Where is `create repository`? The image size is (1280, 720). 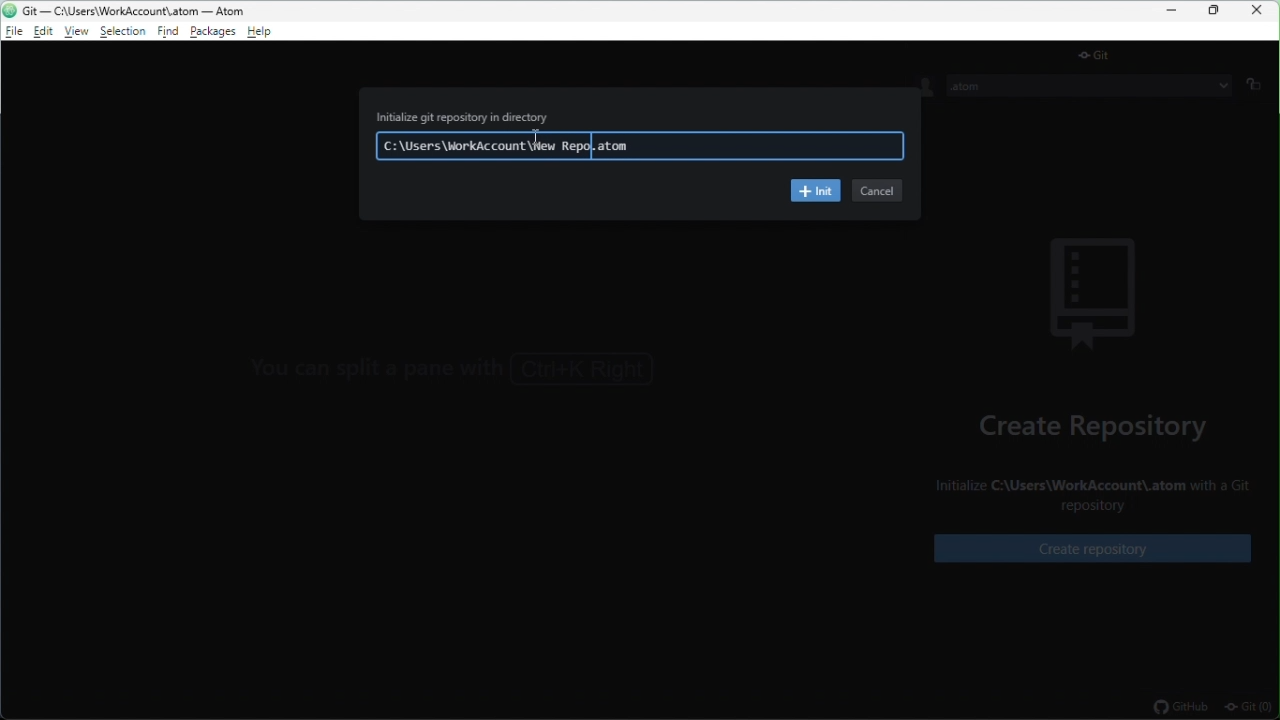
create repository is located at coordinates (1097, 425).